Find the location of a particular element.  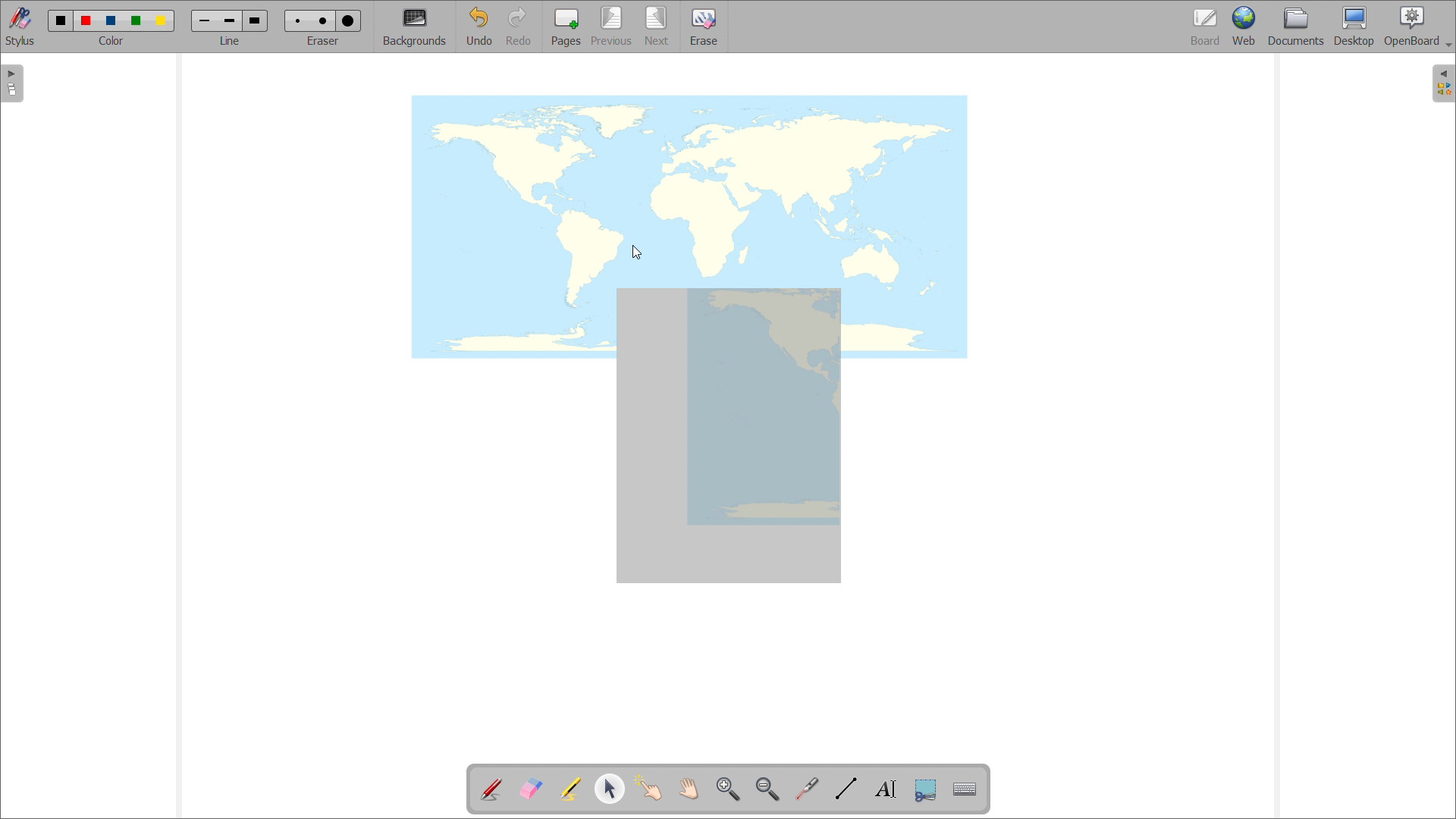

add annotation is located at coordinates (490, 787).